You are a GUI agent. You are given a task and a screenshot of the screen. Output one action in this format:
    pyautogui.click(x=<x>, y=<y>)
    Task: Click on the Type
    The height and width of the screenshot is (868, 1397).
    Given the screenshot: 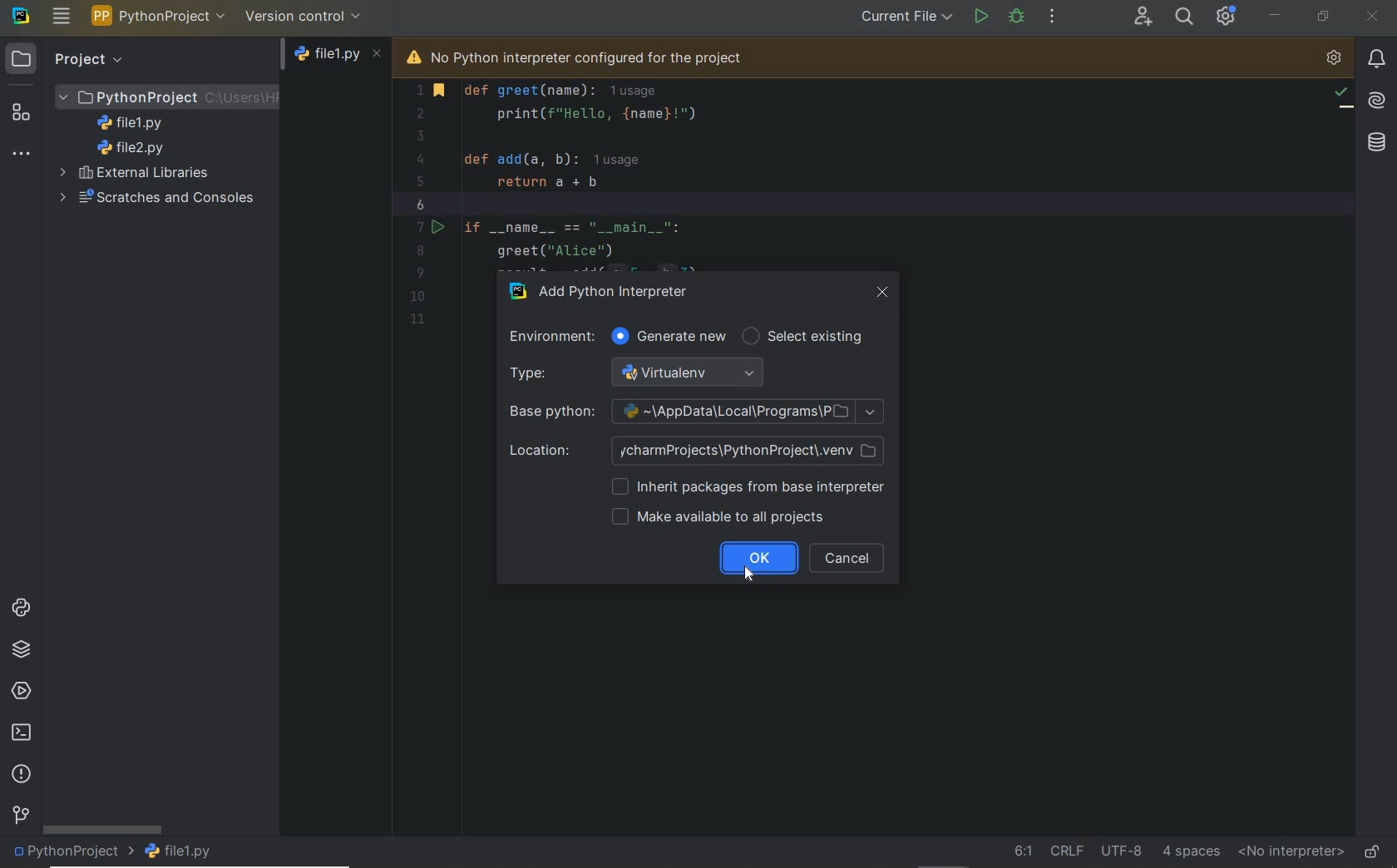 What is the action you would take?
    pyautogui.click(x=644, y=373)
    